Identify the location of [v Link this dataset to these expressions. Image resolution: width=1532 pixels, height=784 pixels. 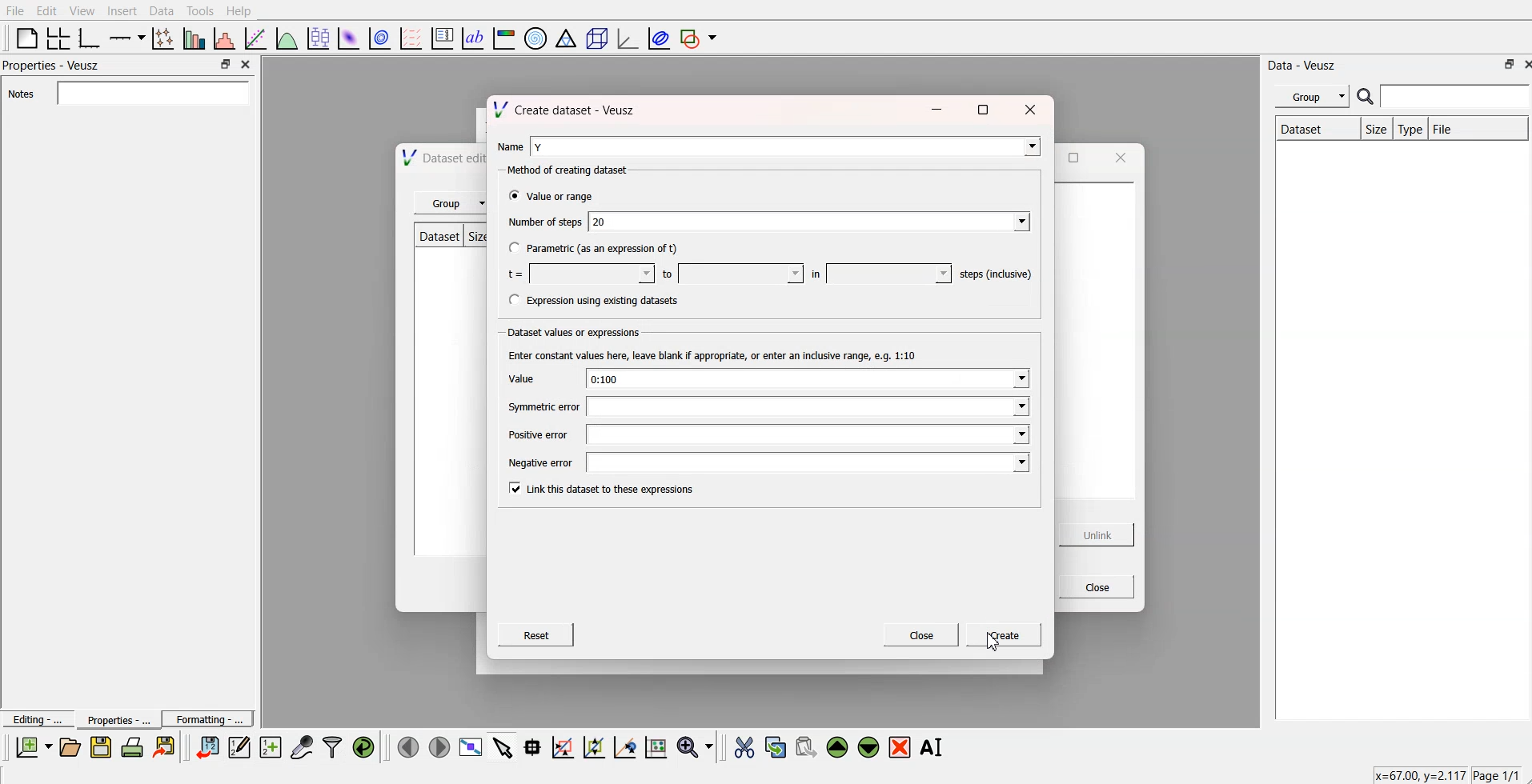
(603, 489).